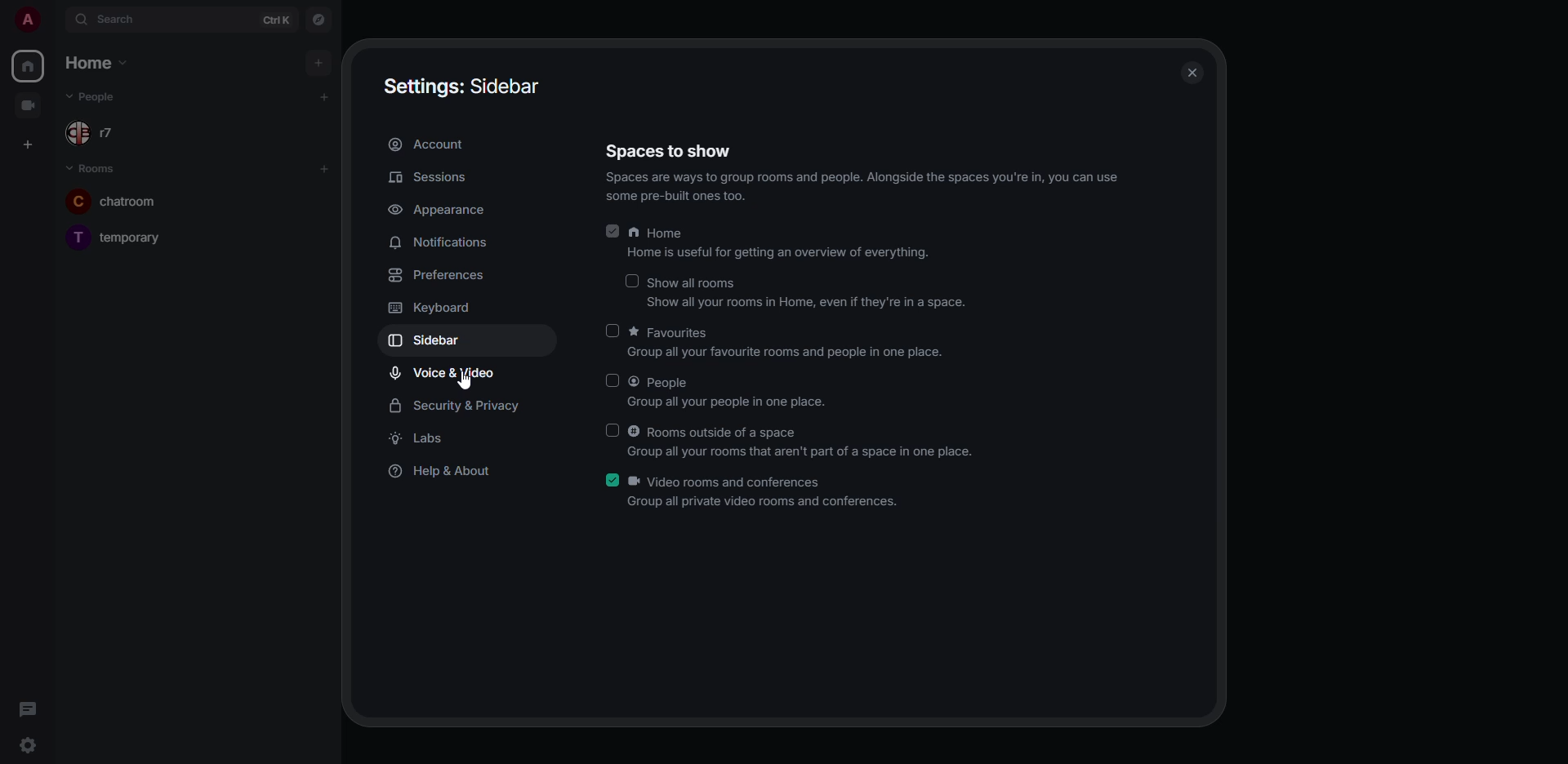 The image size is (1568, 764). I want to click on ctrl K, so click(275, 20).